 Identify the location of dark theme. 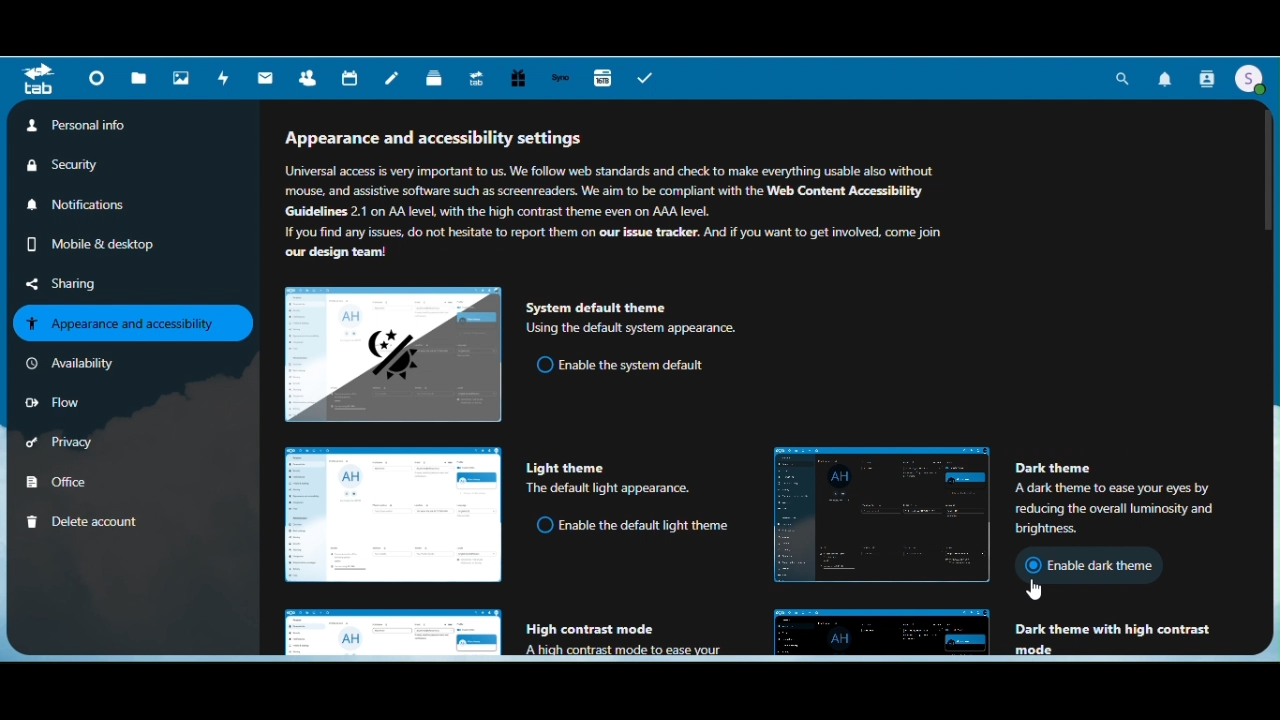
(1016, 514).